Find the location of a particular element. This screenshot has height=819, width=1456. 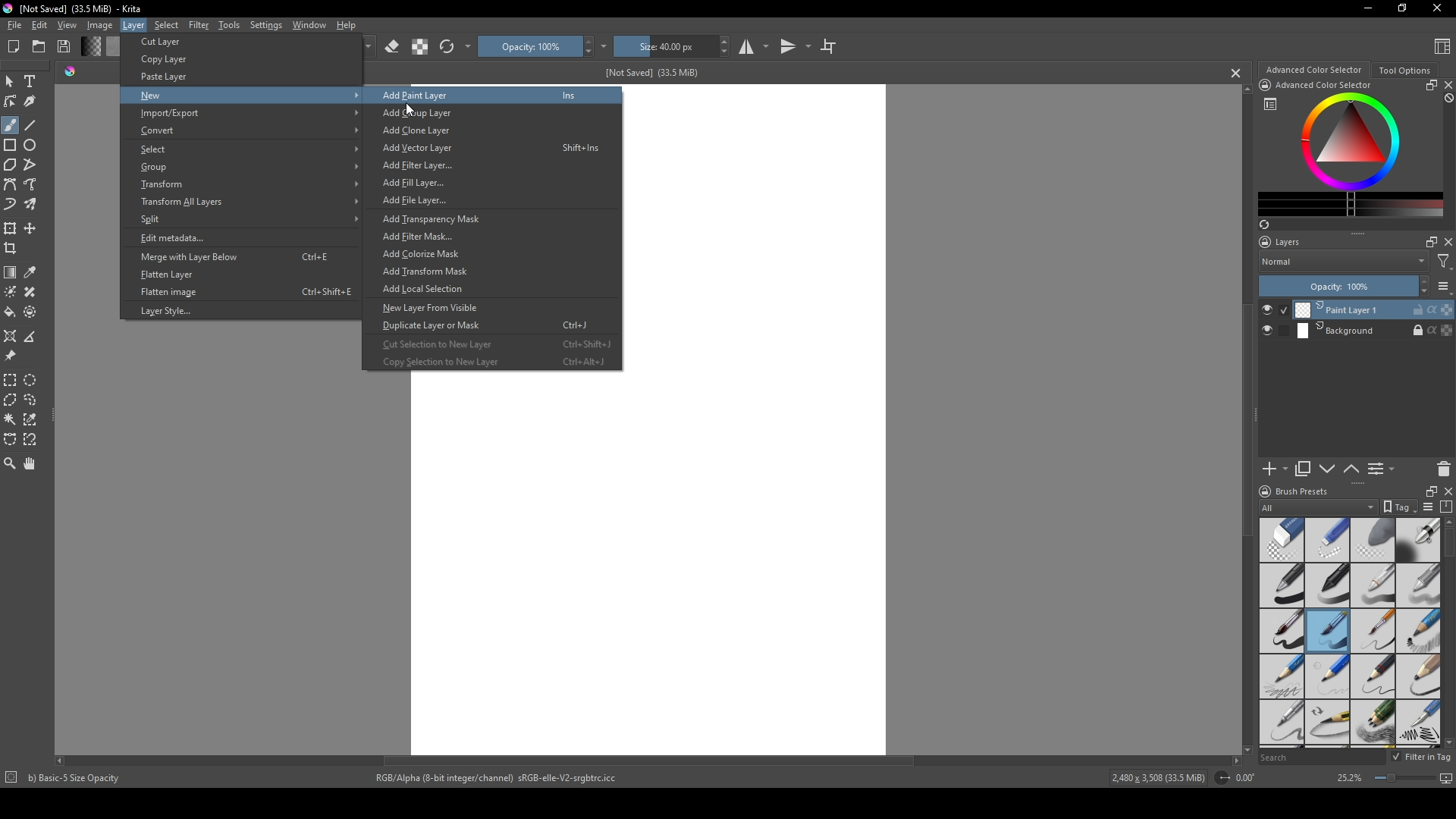

rectangle is located at coordinates (11, 146).